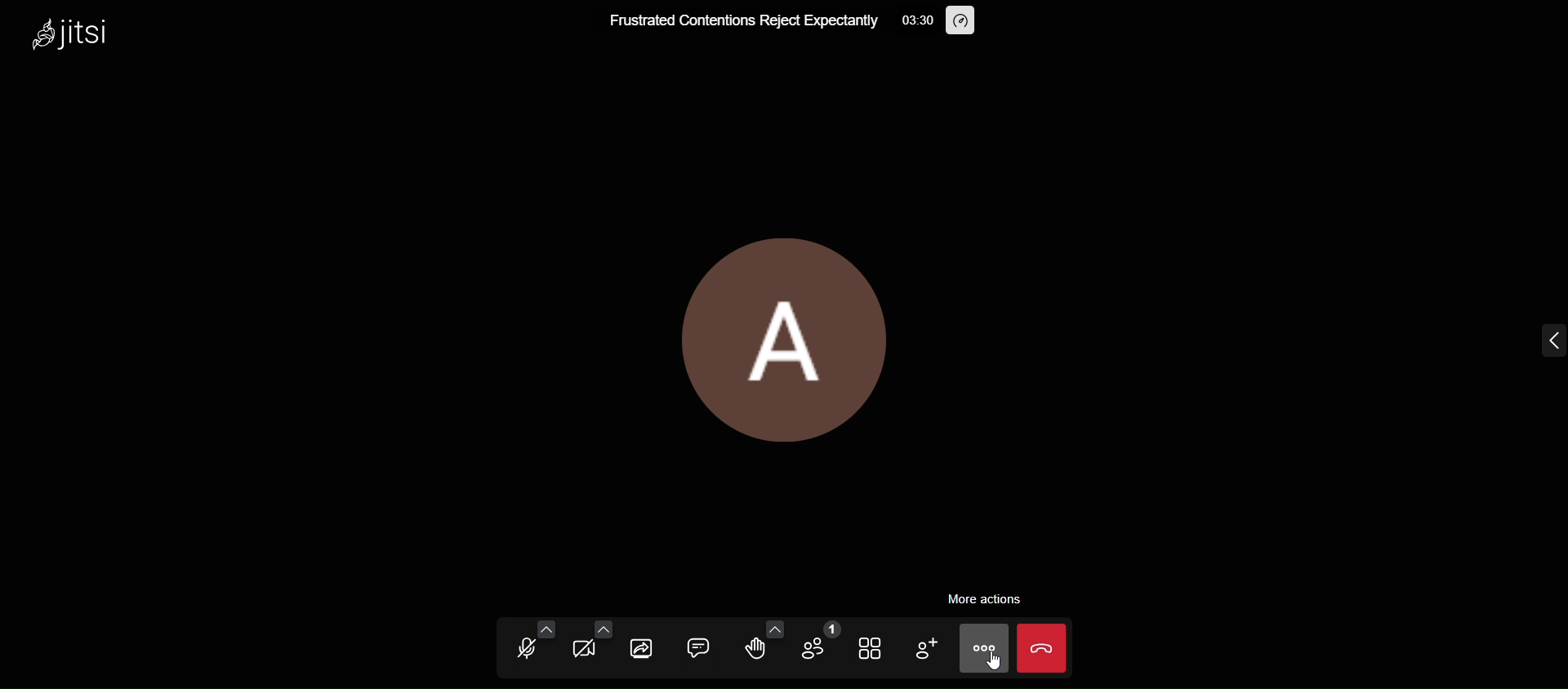 This screenshot has height=689, width=1568. I want to click on cursor, so click(993, 665).